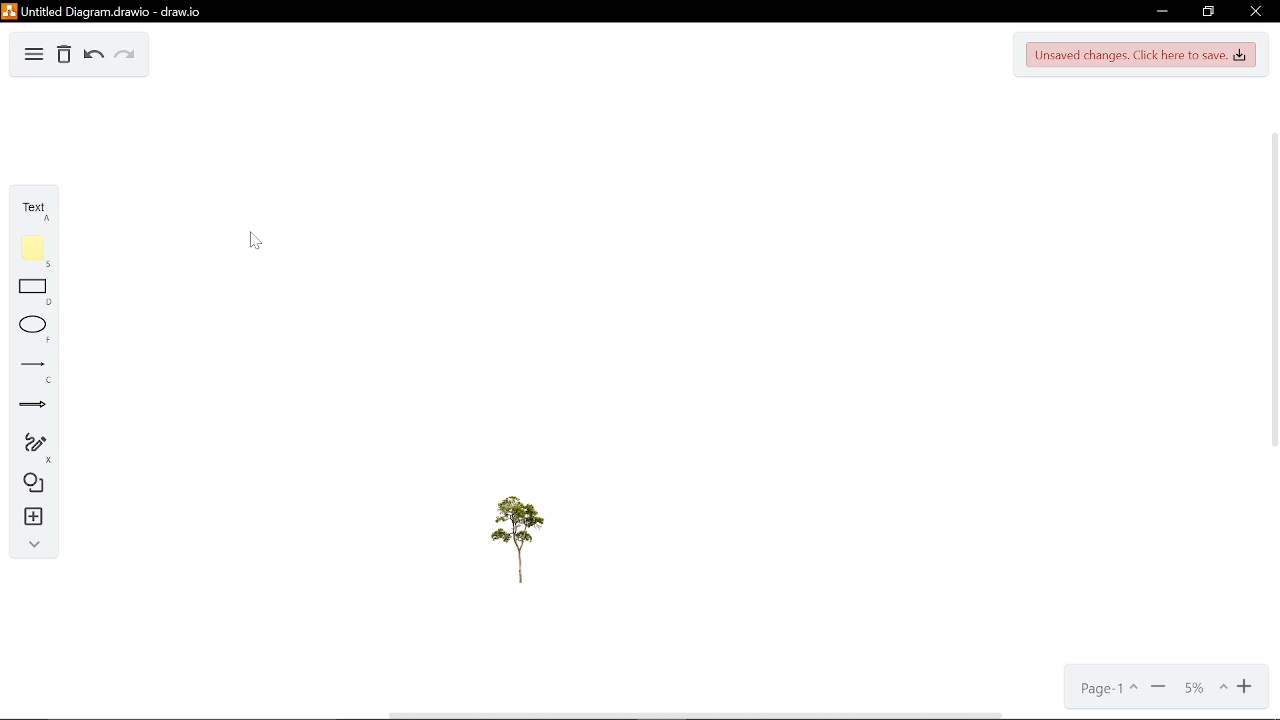 This screenshot has width=1280, height=720. Describe the element at coordinates (27, 546) in the screenshot. I see `Collapse` at that location.